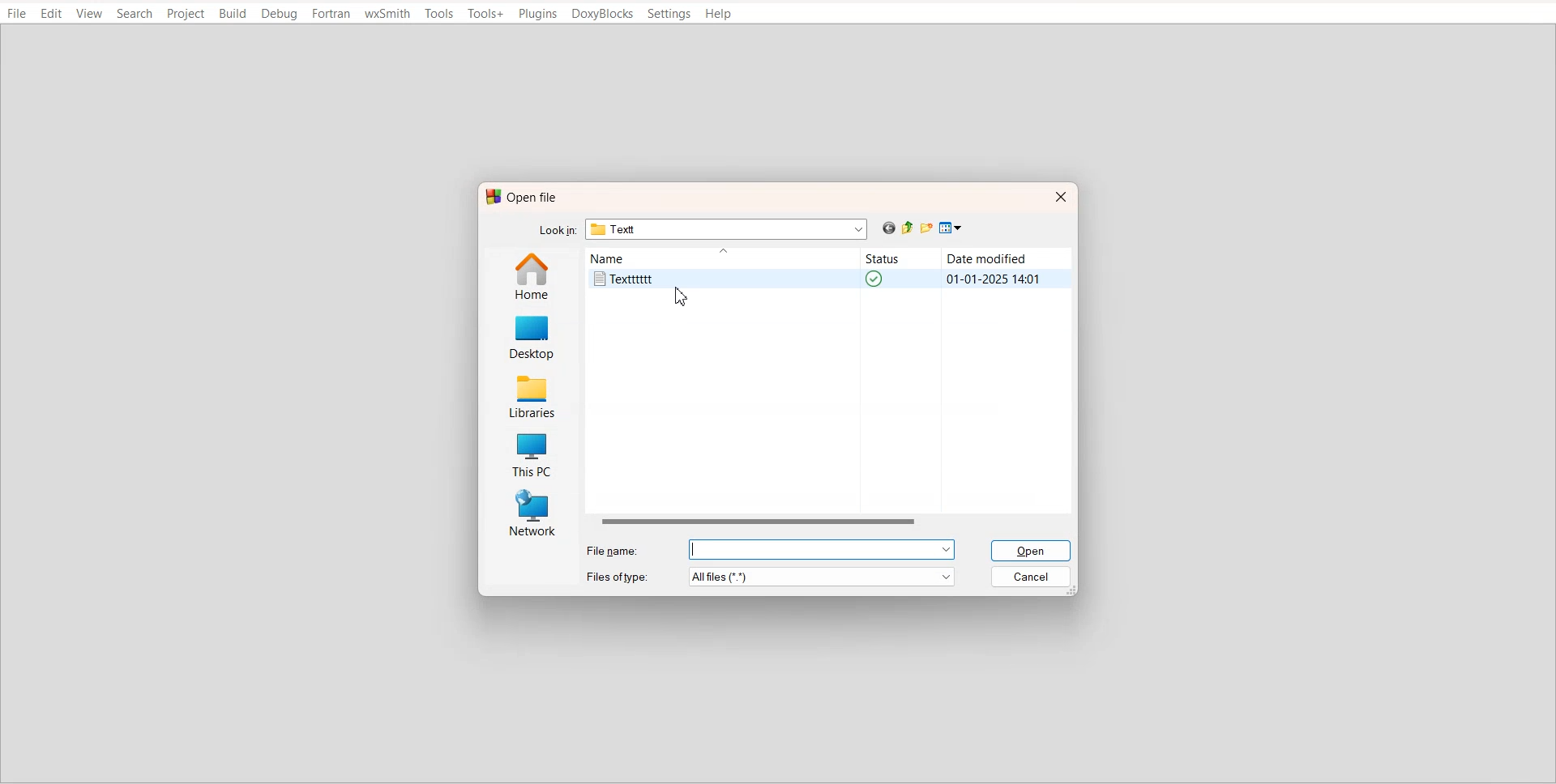  What do you see at coordinates (1032, 551) in the screenshot?
I see `Open` at bounding box center [1032, 551].